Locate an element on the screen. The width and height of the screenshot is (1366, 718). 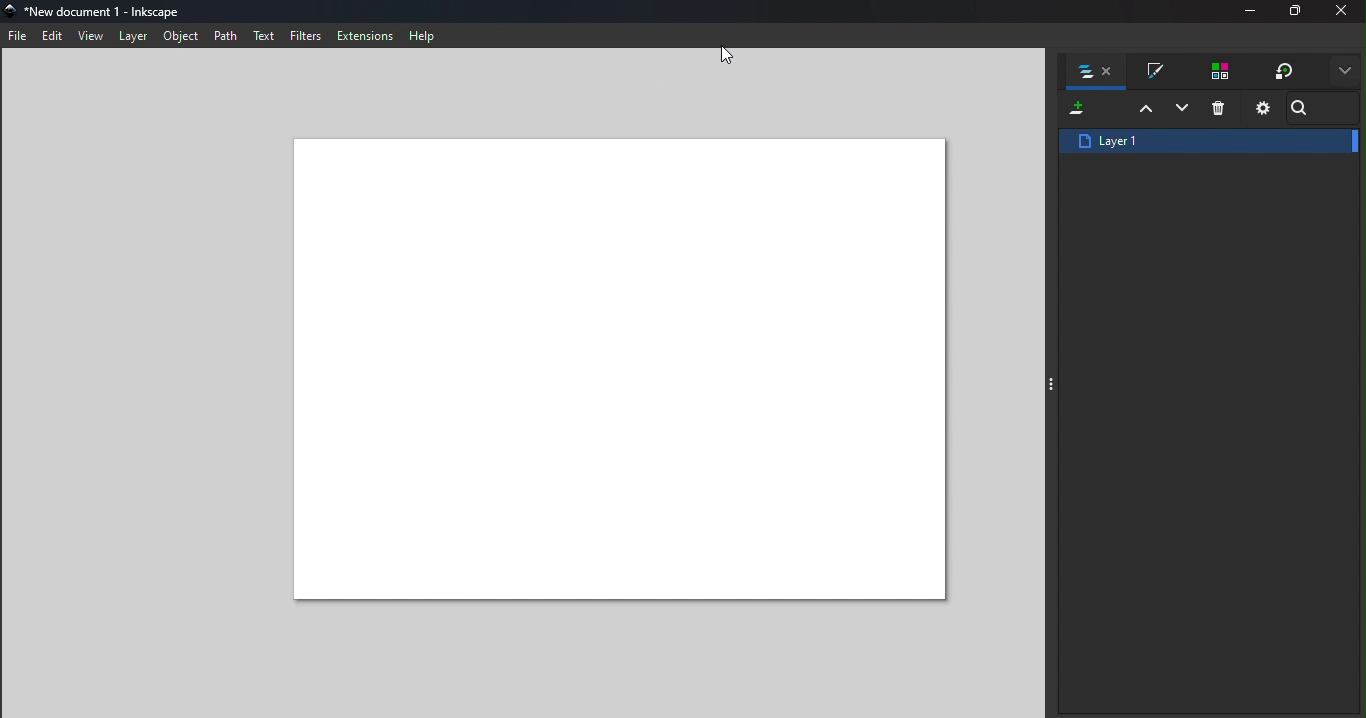
Raise selection one layer is located at coordinates (1145, 110).